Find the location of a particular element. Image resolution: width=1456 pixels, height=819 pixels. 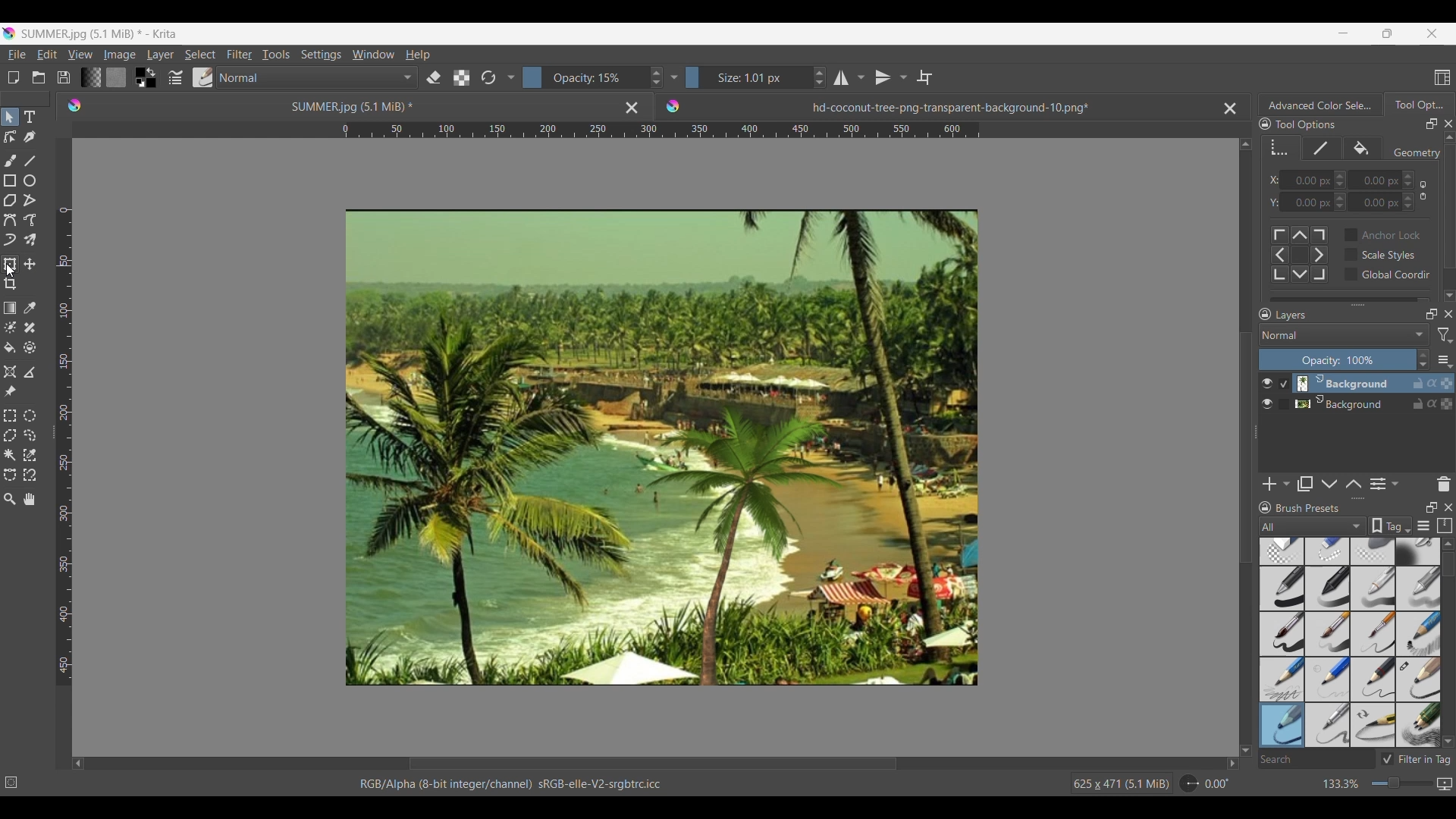

pencil 4 - soft is located at coordinates (1281, 724).